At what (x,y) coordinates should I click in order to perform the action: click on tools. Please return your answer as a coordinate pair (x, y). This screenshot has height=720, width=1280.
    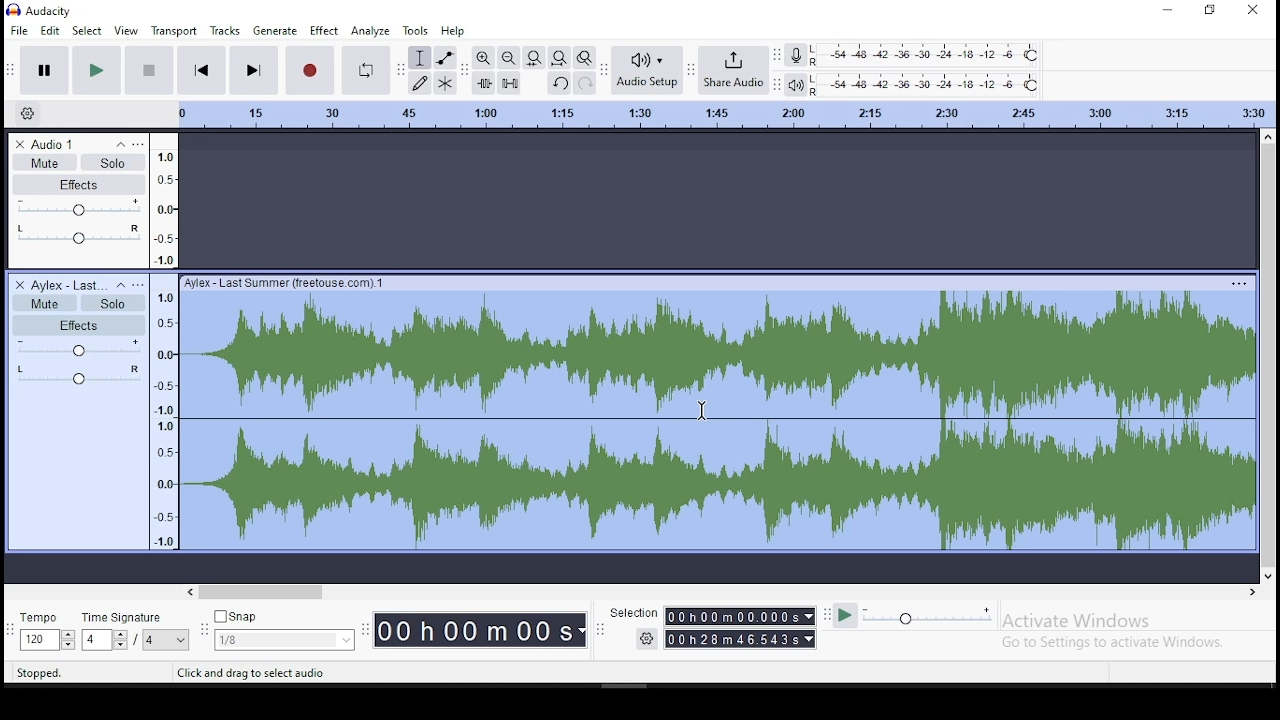
    Looking at the image, I should click on (416, 31).